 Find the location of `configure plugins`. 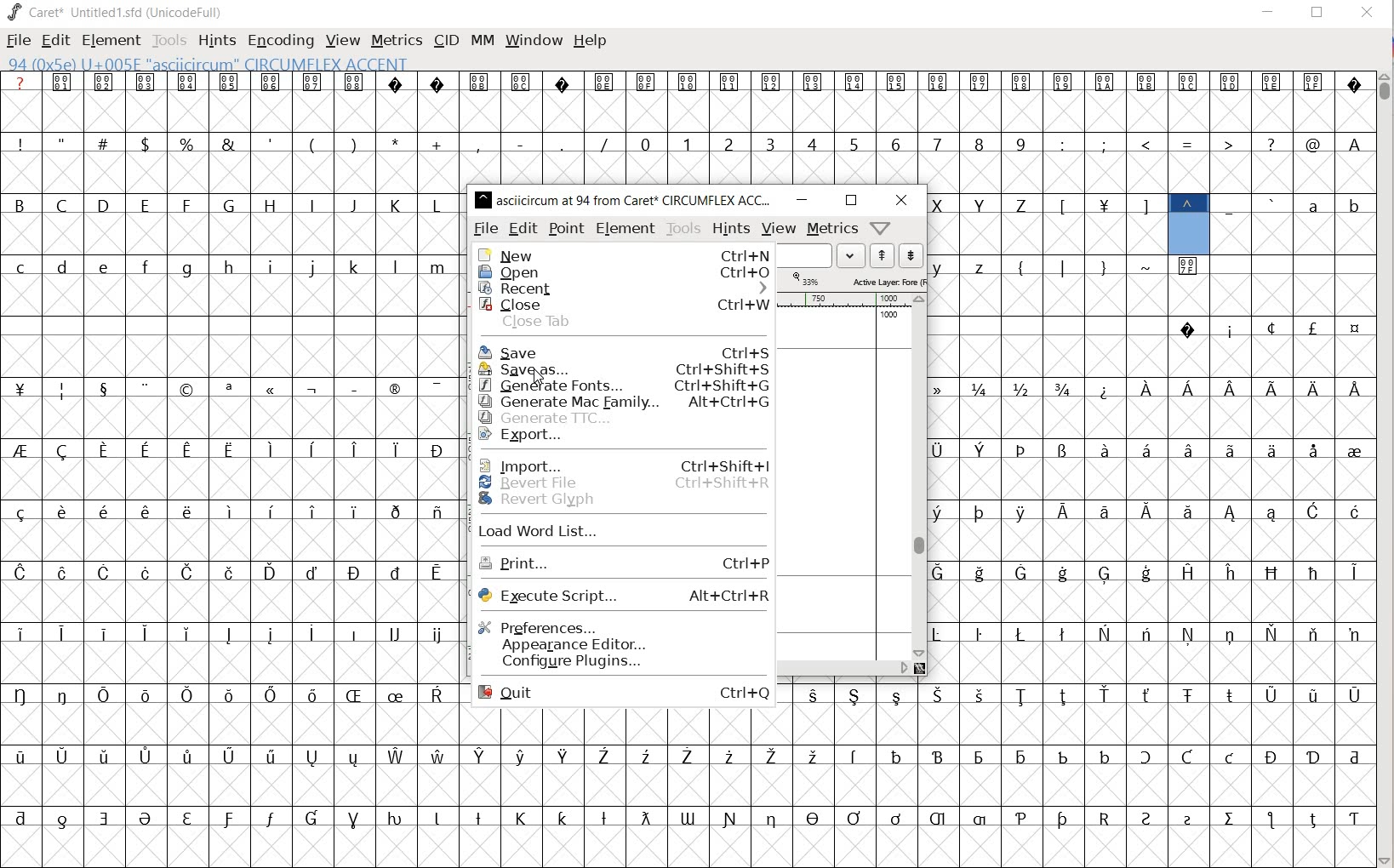

configure plugins is located at coordinates (620, 664).